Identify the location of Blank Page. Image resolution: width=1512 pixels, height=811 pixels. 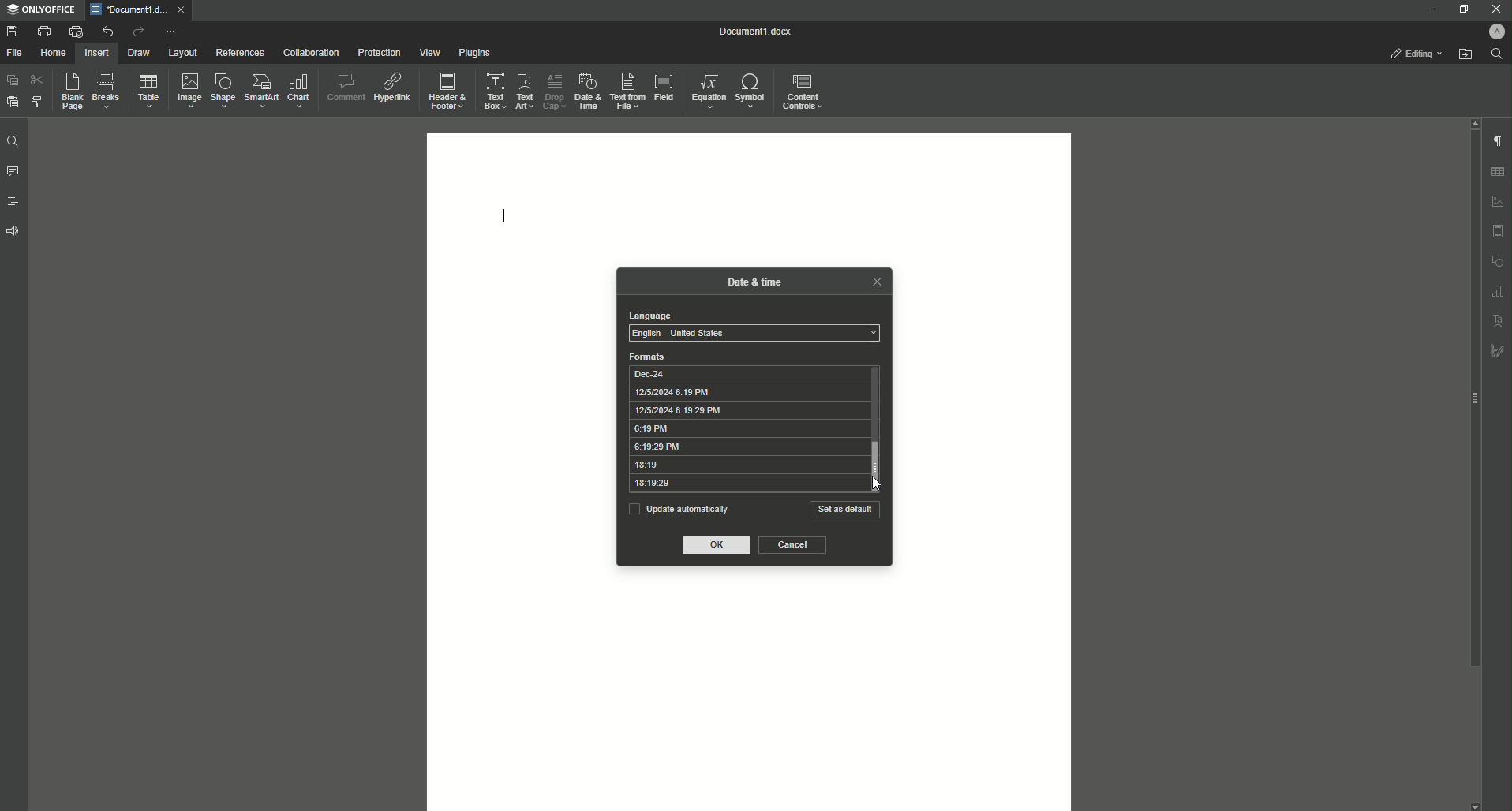
(68, 92).